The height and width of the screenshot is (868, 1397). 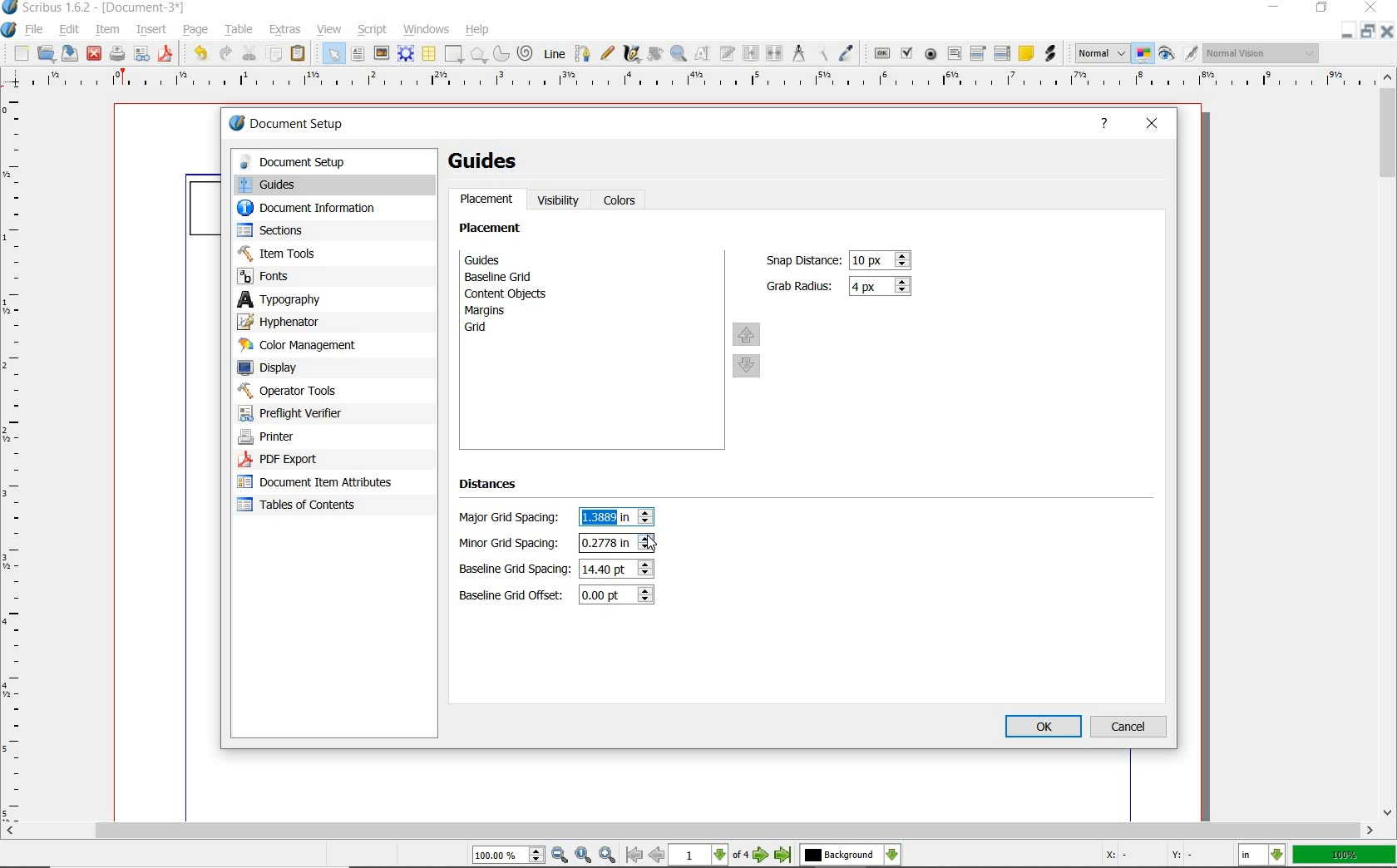 What do you see at coordinates (1264, 856) in the screenshot?
I see `select the current unit` at bounding box center [1264, 856].